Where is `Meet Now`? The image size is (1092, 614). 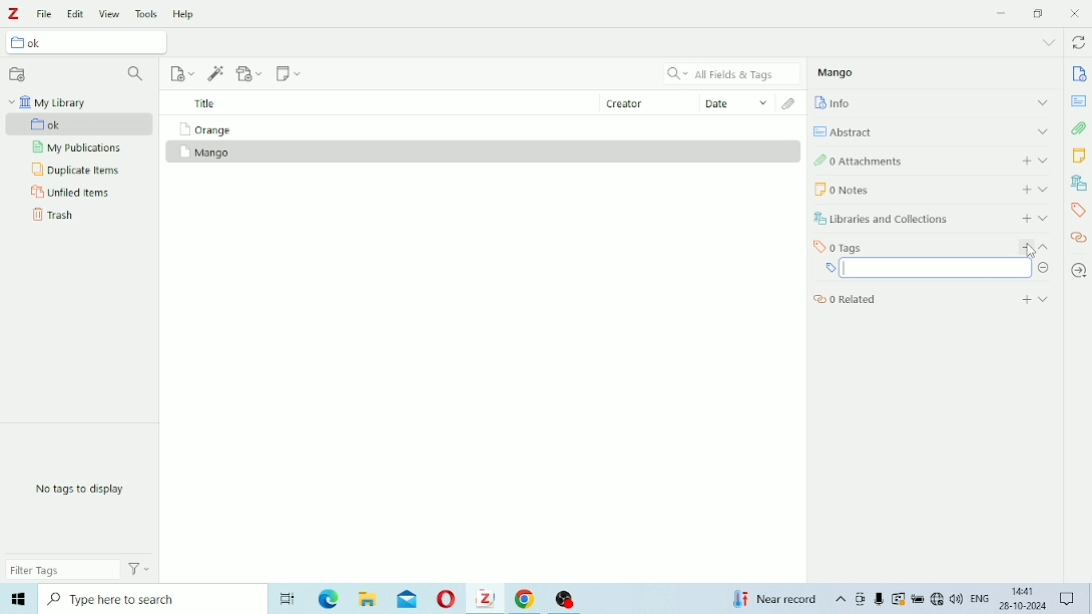 Meet Now is located at coordinates (861, 599).